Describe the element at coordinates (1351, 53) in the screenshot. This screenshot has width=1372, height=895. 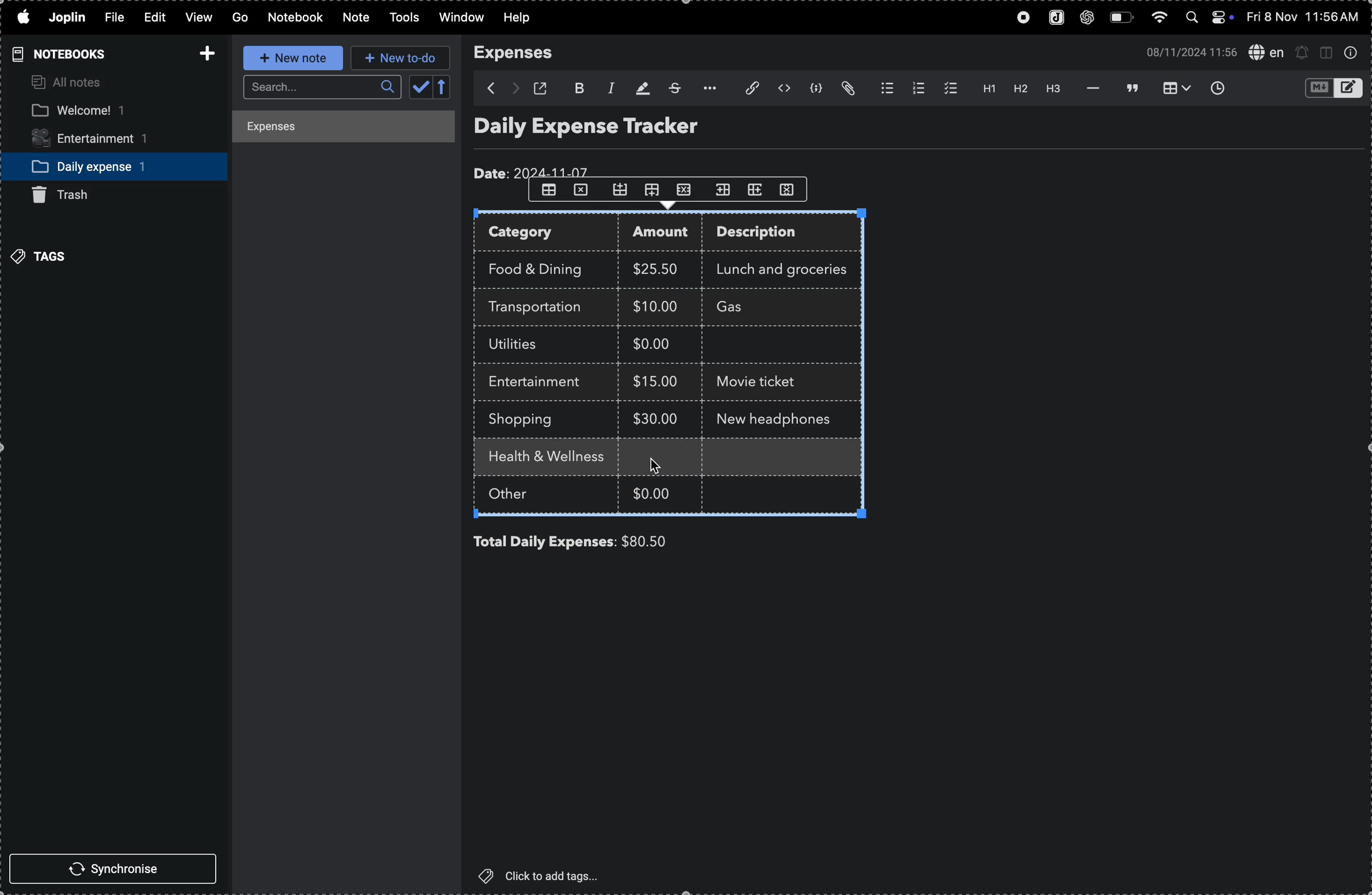
I see `info` at that location.